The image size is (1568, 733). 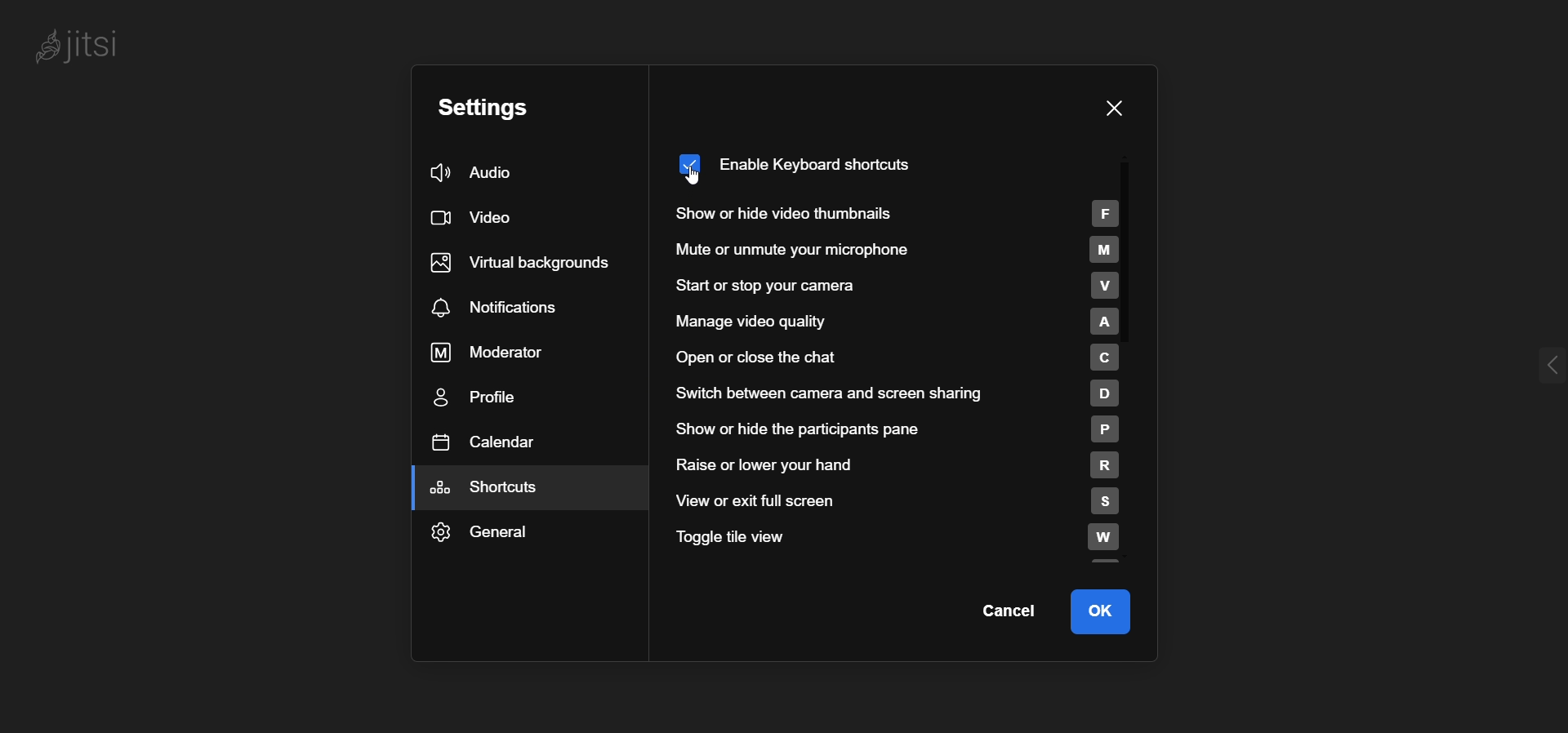 I want to click on cancel, so click(x=1006, y=614).